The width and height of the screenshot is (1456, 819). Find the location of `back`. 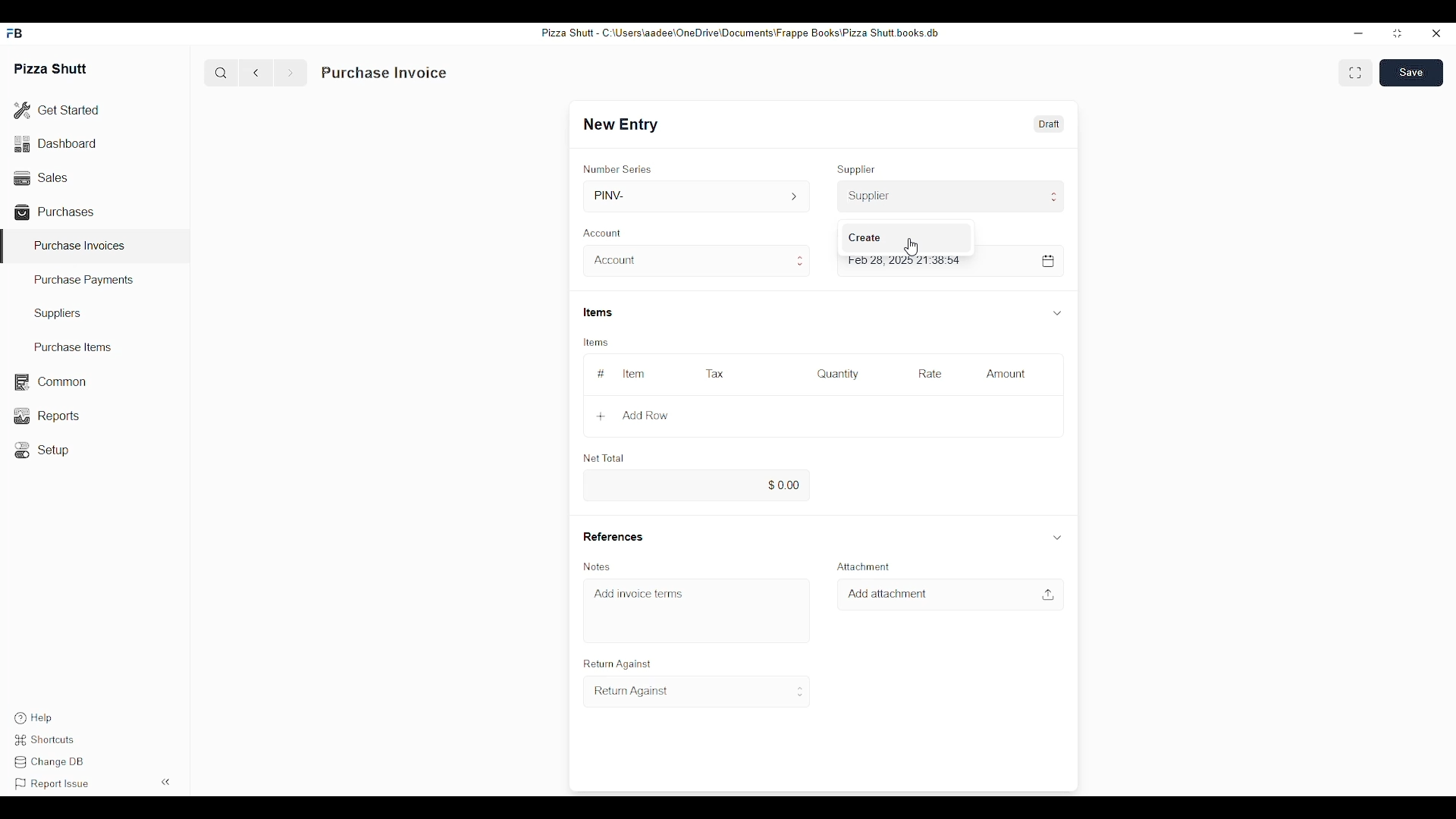

back is located at coordinates (259, 73).